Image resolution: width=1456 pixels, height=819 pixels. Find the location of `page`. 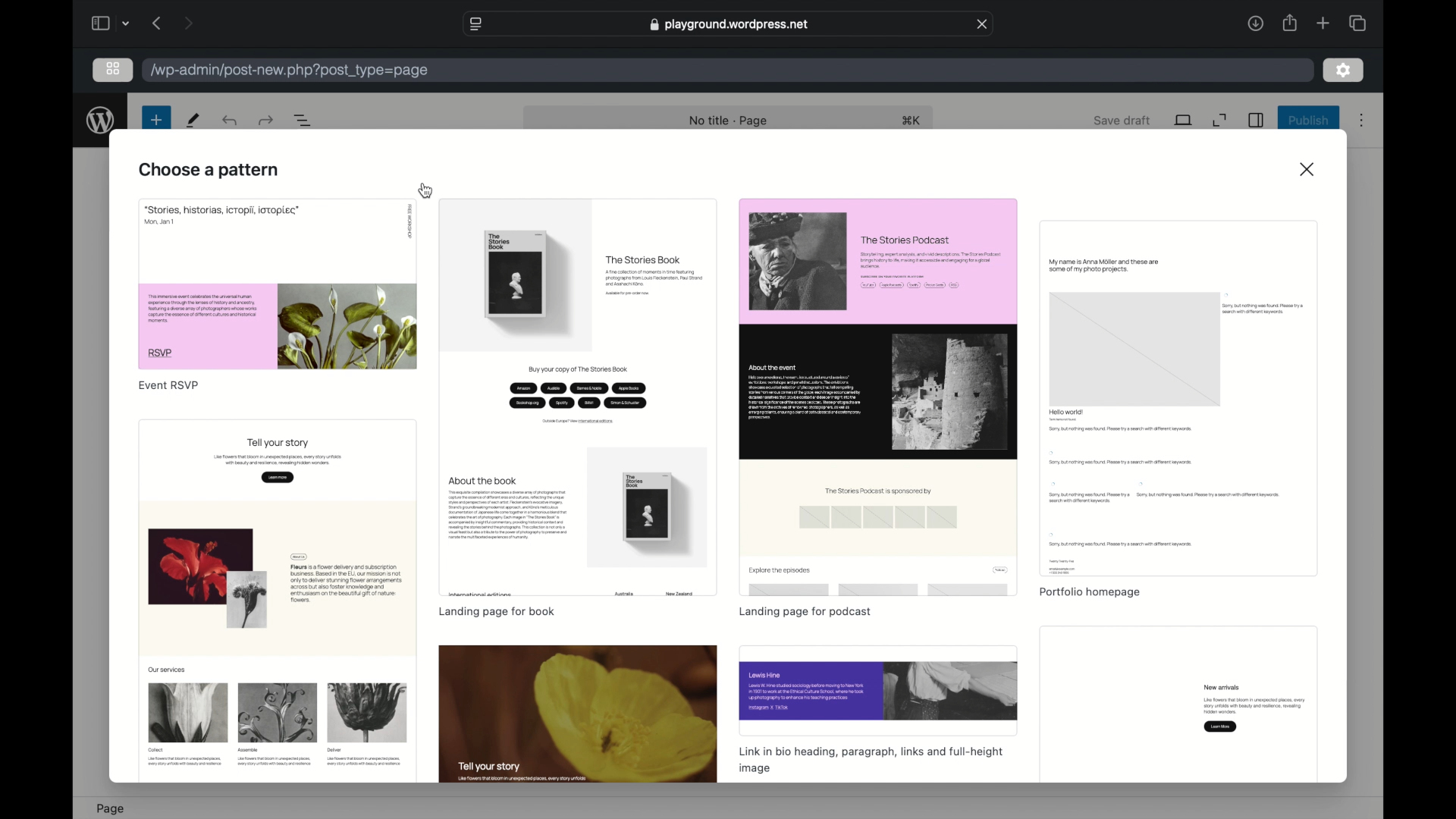

page is located at coordinates (111, 808).